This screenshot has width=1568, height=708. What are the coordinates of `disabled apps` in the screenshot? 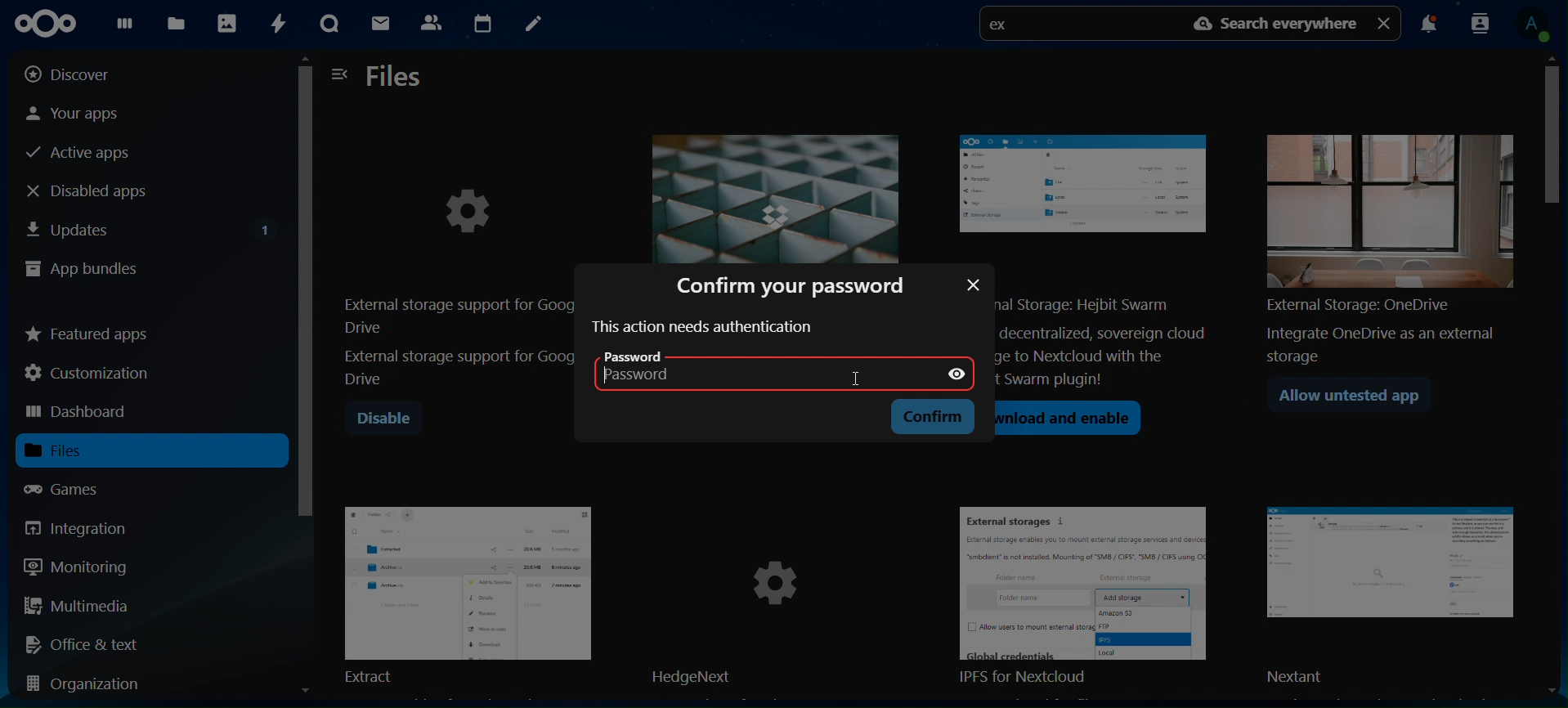 It's located at (101, 190).